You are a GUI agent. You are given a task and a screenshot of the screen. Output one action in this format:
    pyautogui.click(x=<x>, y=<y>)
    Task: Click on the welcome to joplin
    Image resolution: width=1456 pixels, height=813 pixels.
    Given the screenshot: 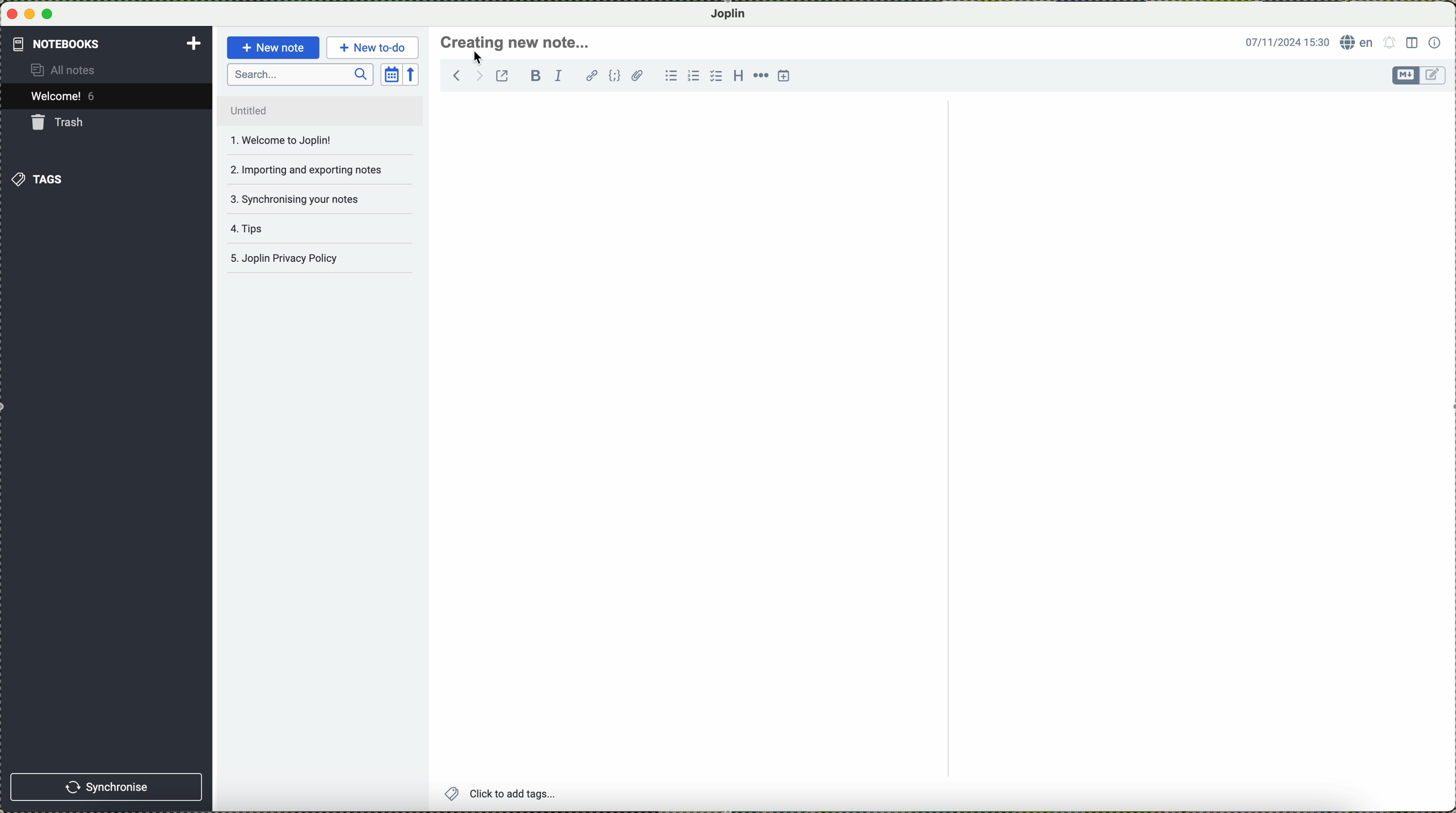 What is the action you would take?
    pyautogui.click(x=302, y=141)
    